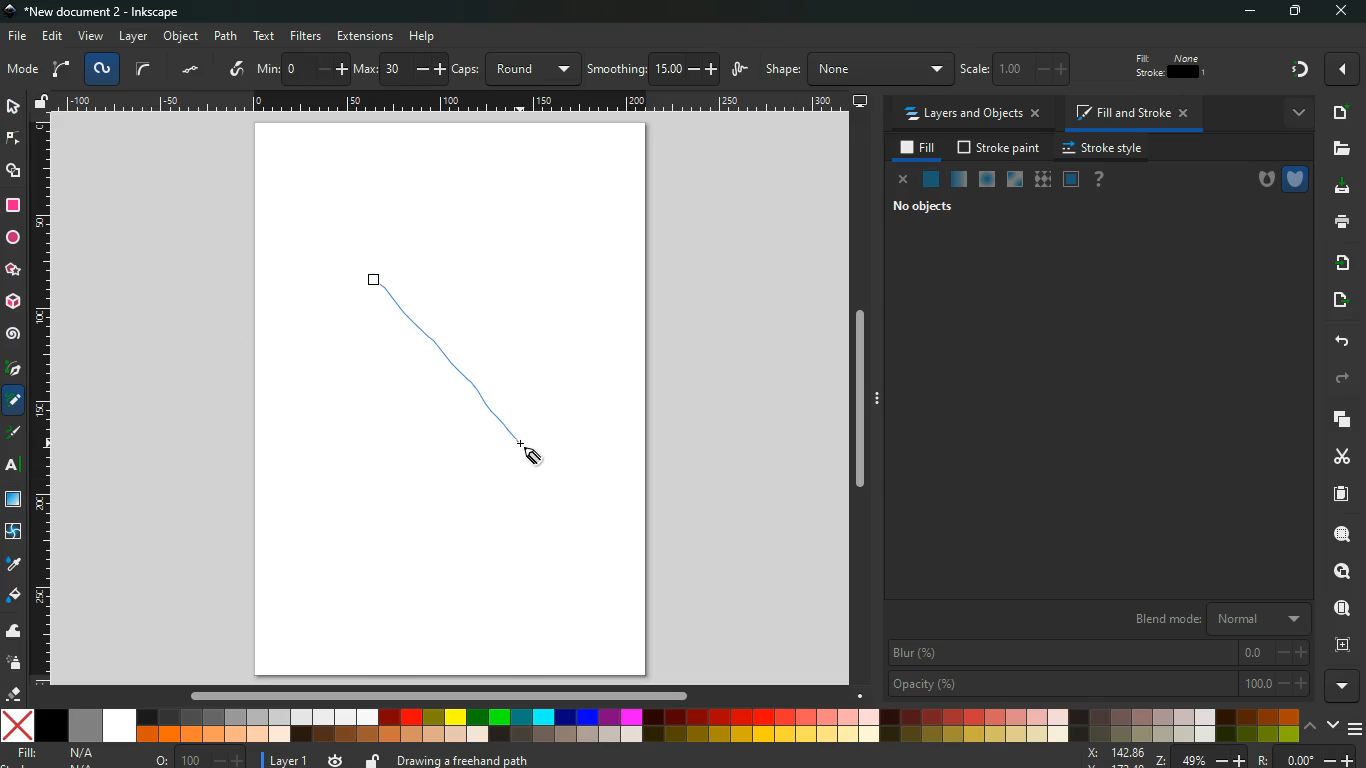 The image size is (1366, 768). What do you see at coordinates (435, 696) in the screenshot?
I see `` at bounding box center [435, 696].